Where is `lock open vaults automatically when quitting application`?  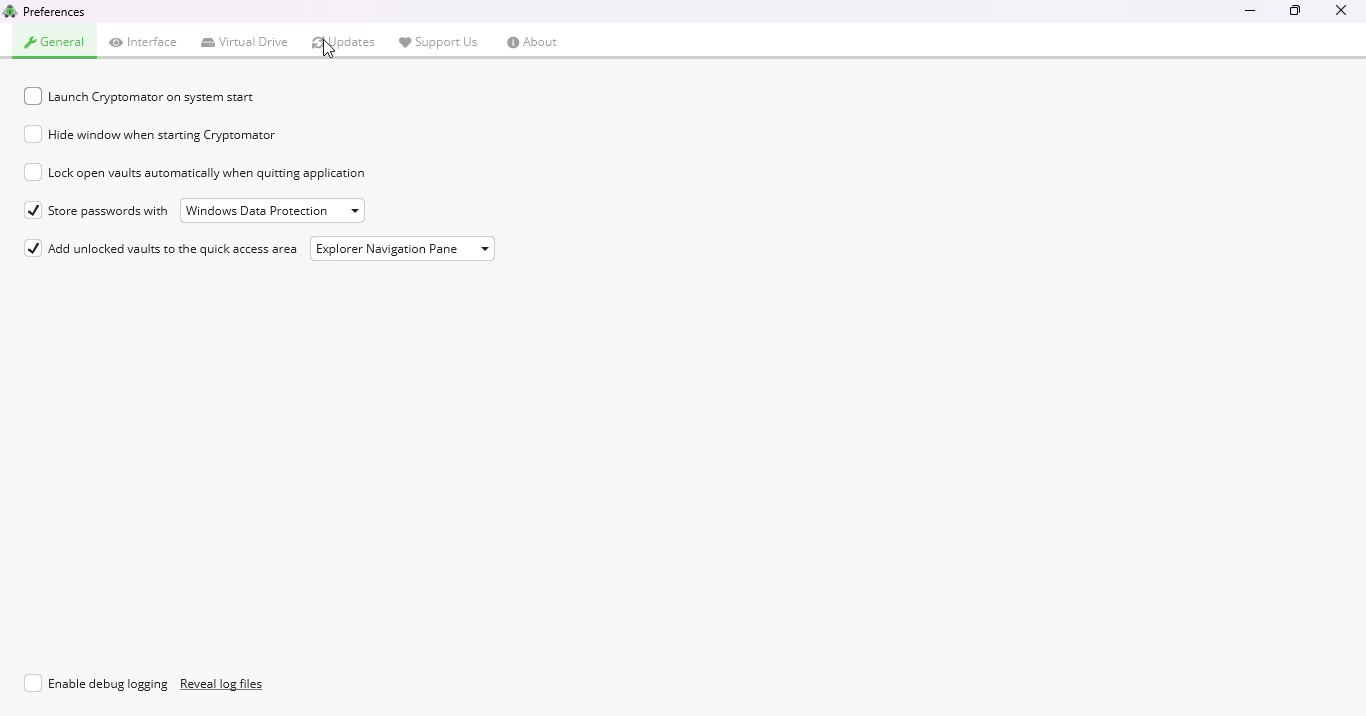
lock open vaults automatically when quitting application is located at coordinates (196, 172).